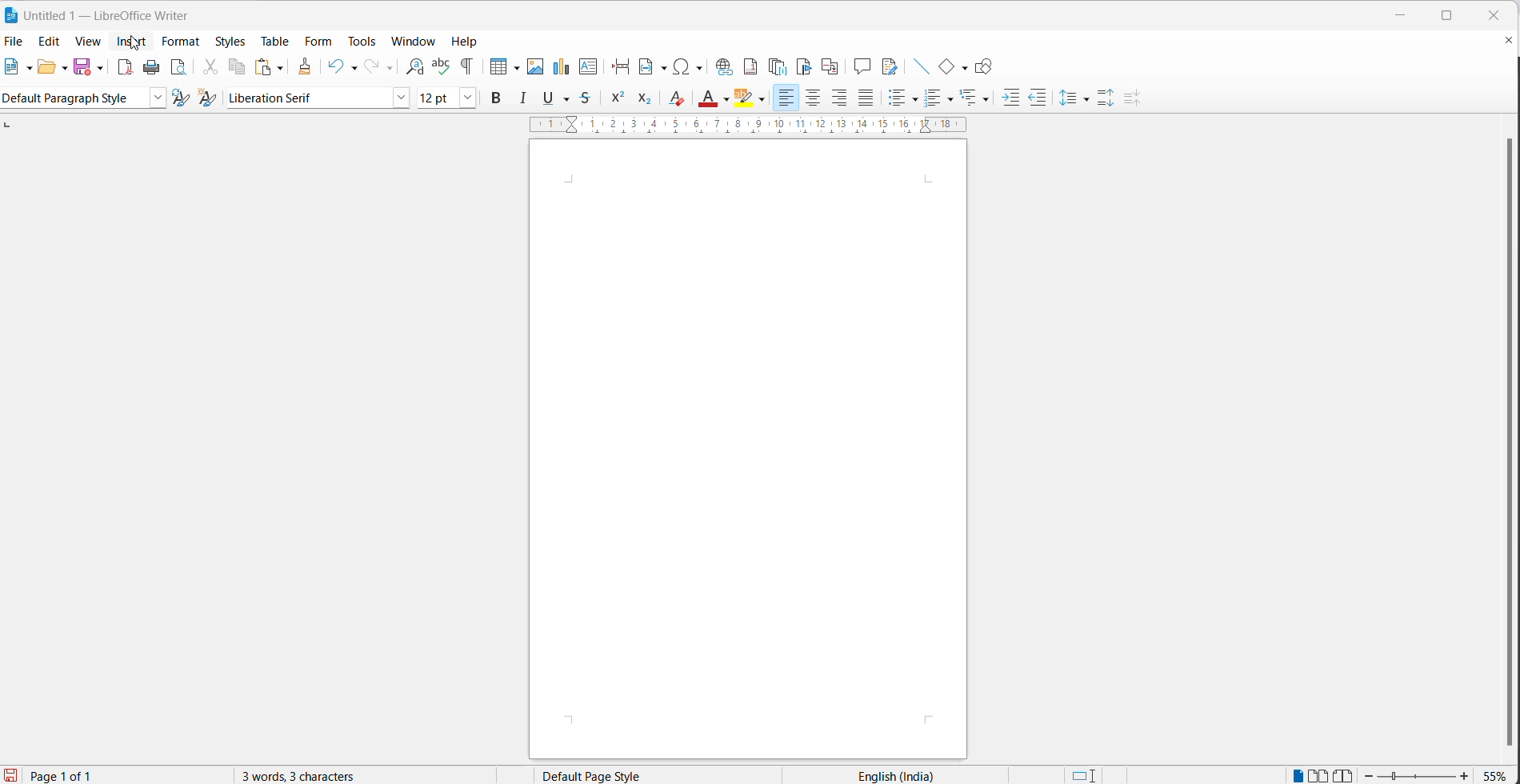 The width and height of the screenshot is (1520, 784). What do you see at coordinates (591, 66) in the screenshot?
I see `insert text` at bounding box center [591, 66].